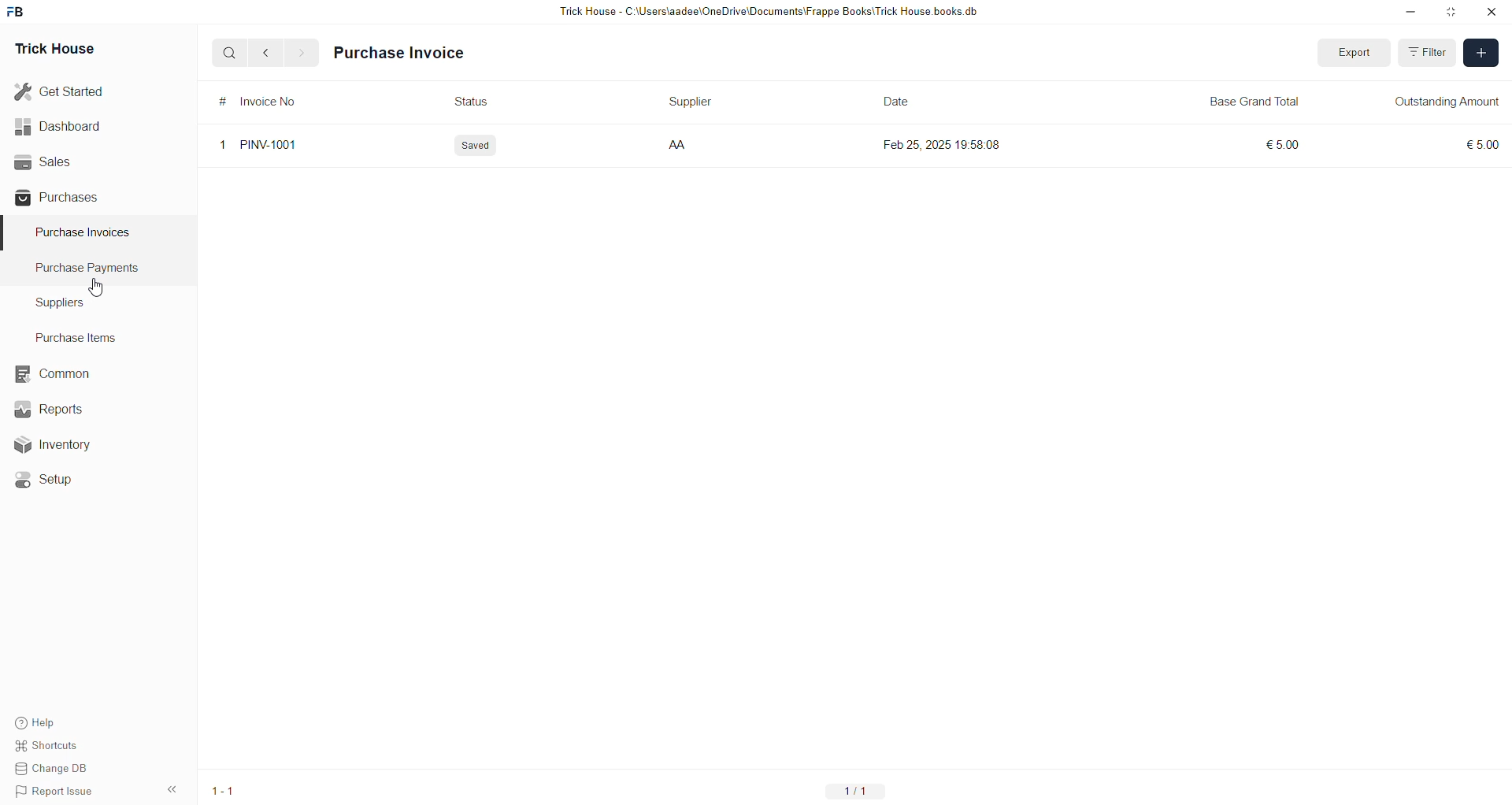  What do you see at coordinates (98, 287) in the screenshot?
I see `cursor` at bounding box center [98, 287].